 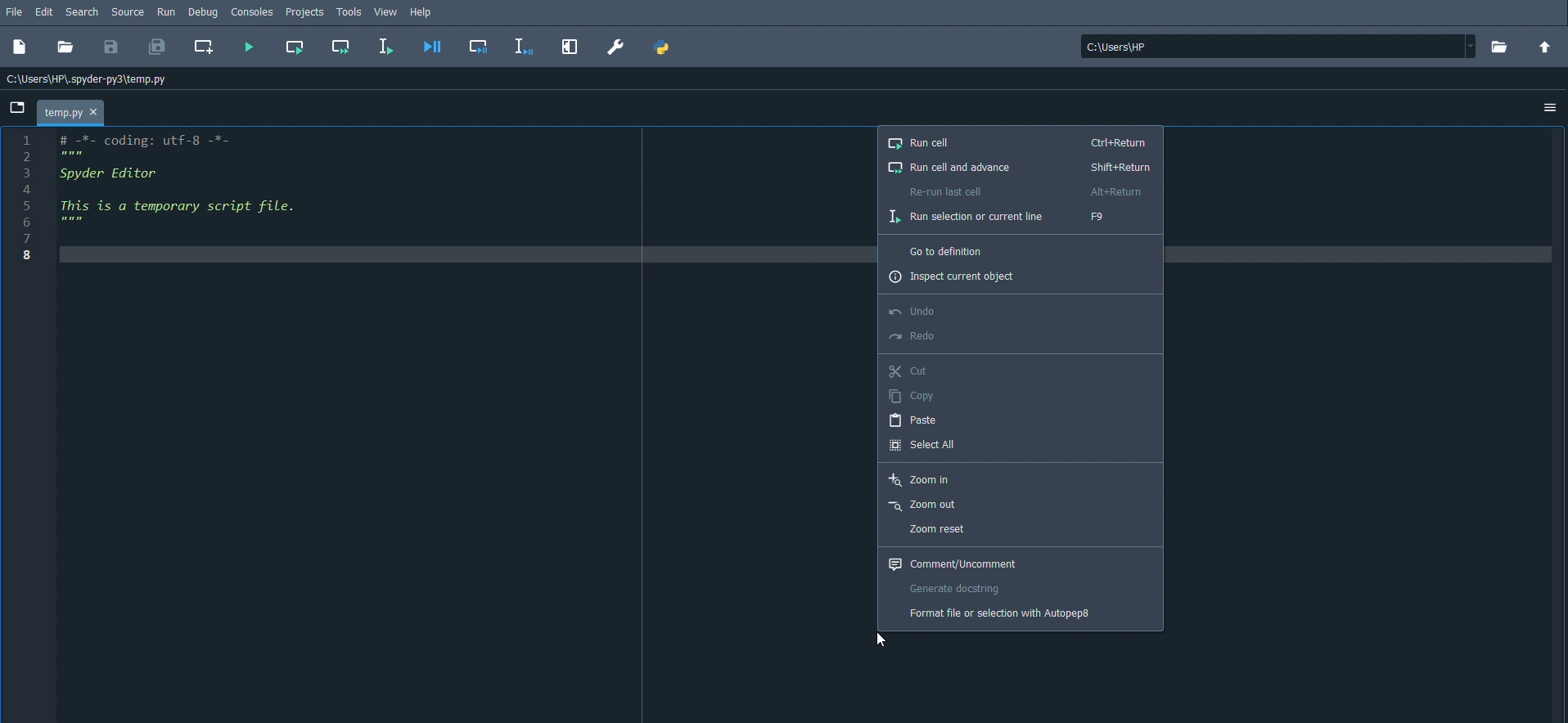 What do you see at coordinates (214, 195) in the screenshot?
I see `Spyder Editor This is a temporary script file` at bounding box center [214, 195].